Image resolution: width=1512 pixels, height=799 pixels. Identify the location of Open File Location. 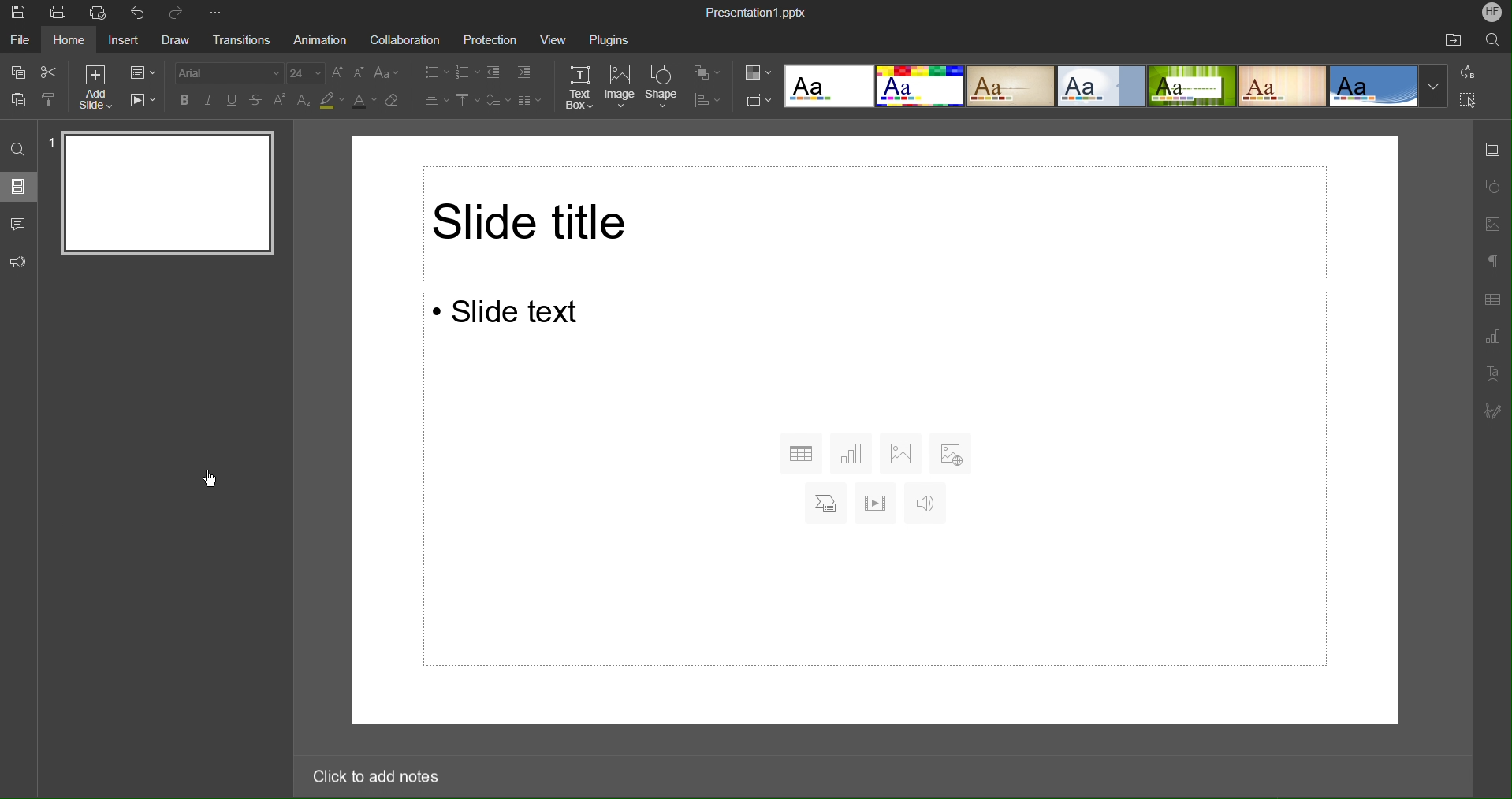
(1455, 39).